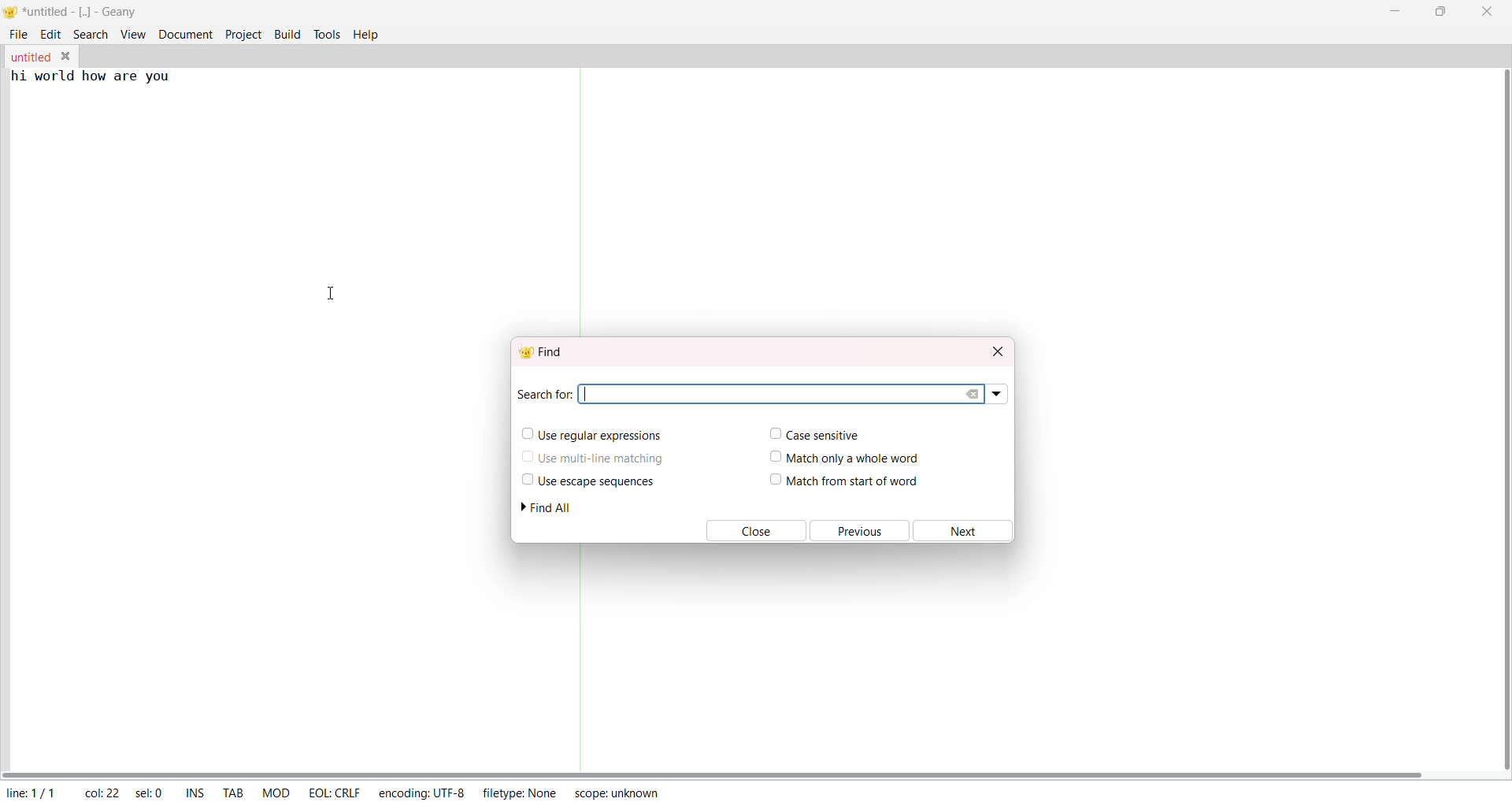 The height and width of the screenshot is (802, 1512). I want to click on case sensitive, so click(821, 434).